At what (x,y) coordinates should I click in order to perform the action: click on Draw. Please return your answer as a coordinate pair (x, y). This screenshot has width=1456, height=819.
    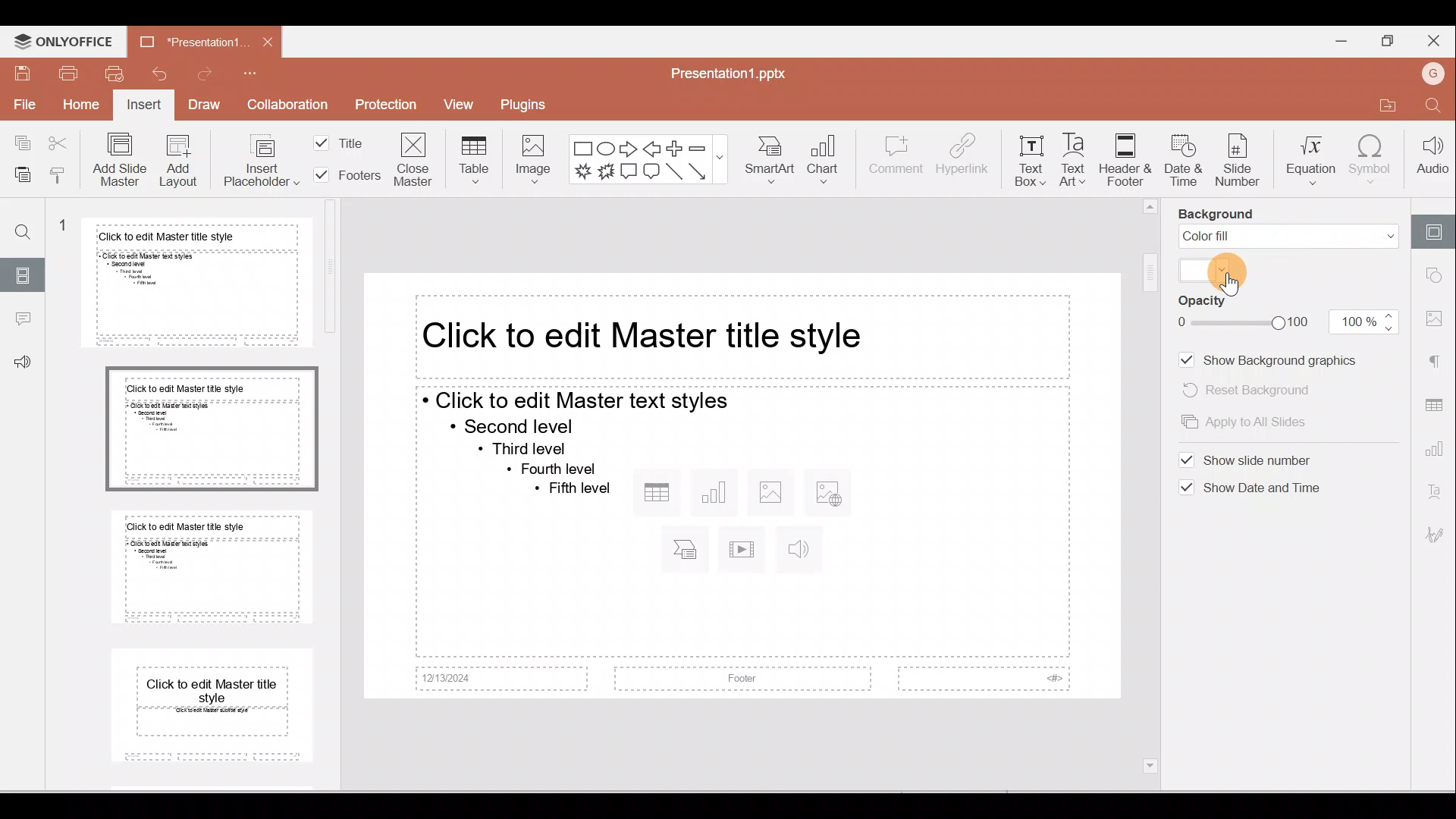
    Looking at the image, I should click on (206, 107).